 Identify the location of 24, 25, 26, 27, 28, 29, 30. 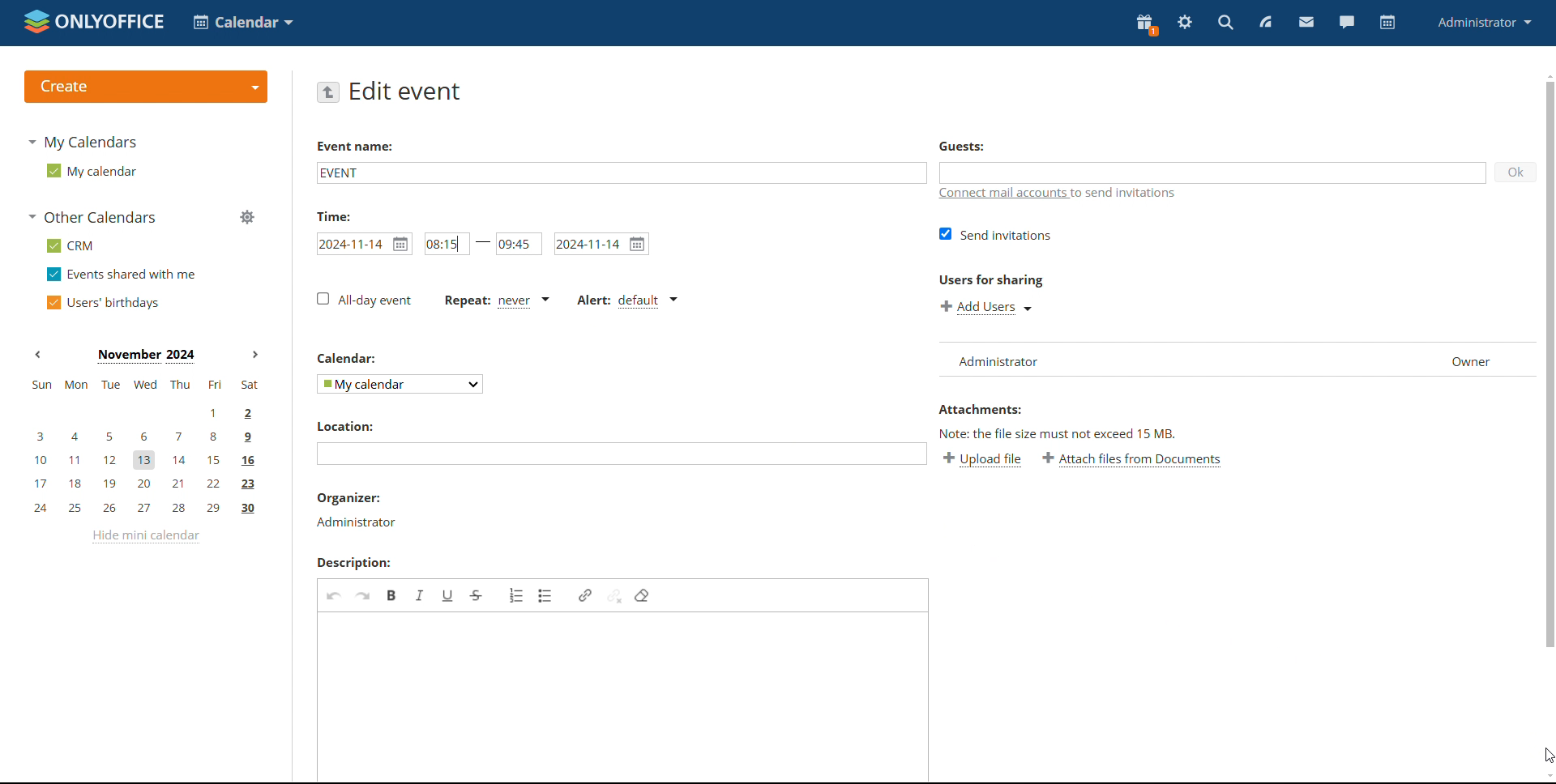
(145, 509).